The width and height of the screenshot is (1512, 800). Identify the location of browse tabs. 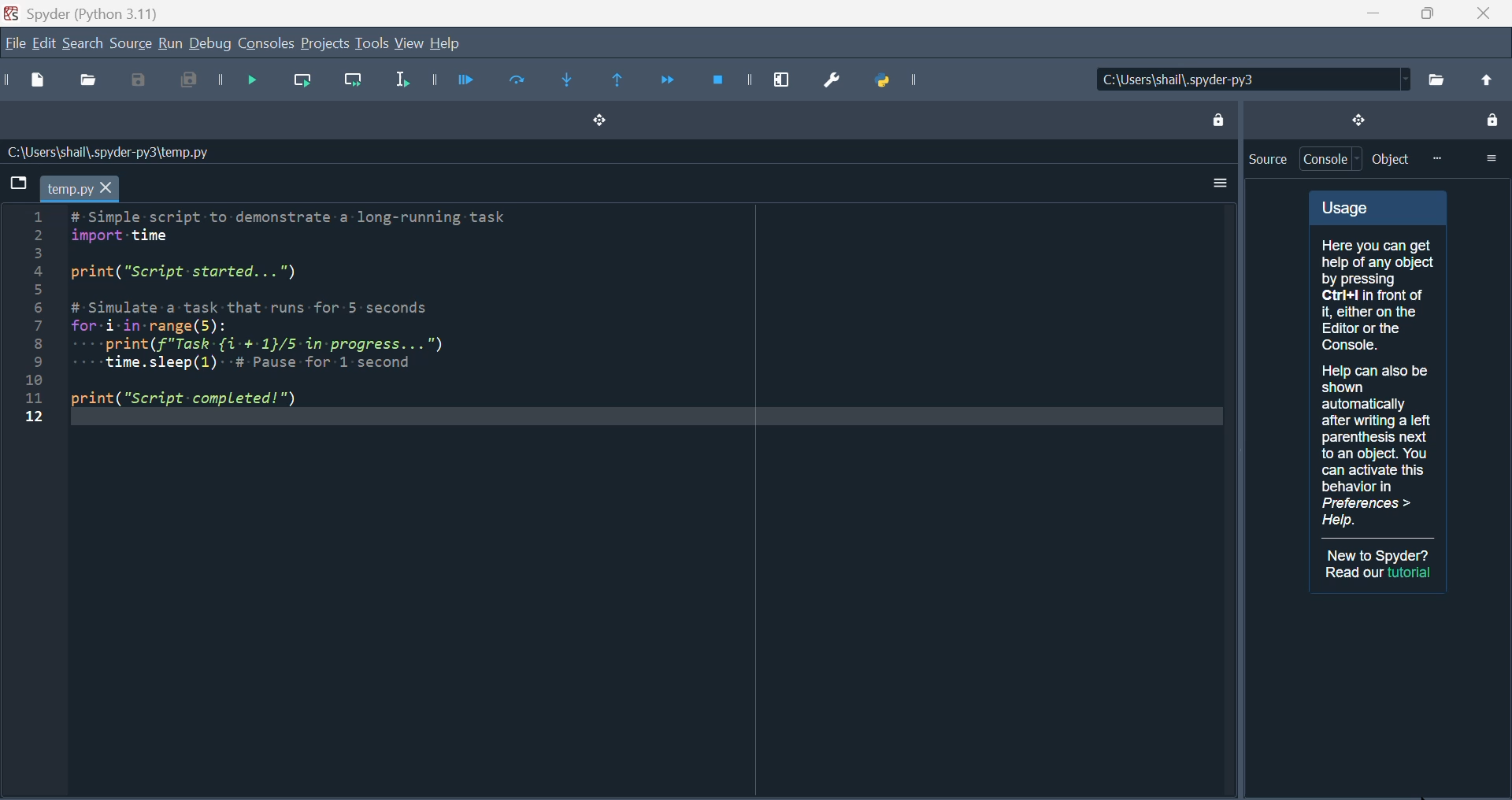
(17, 182).